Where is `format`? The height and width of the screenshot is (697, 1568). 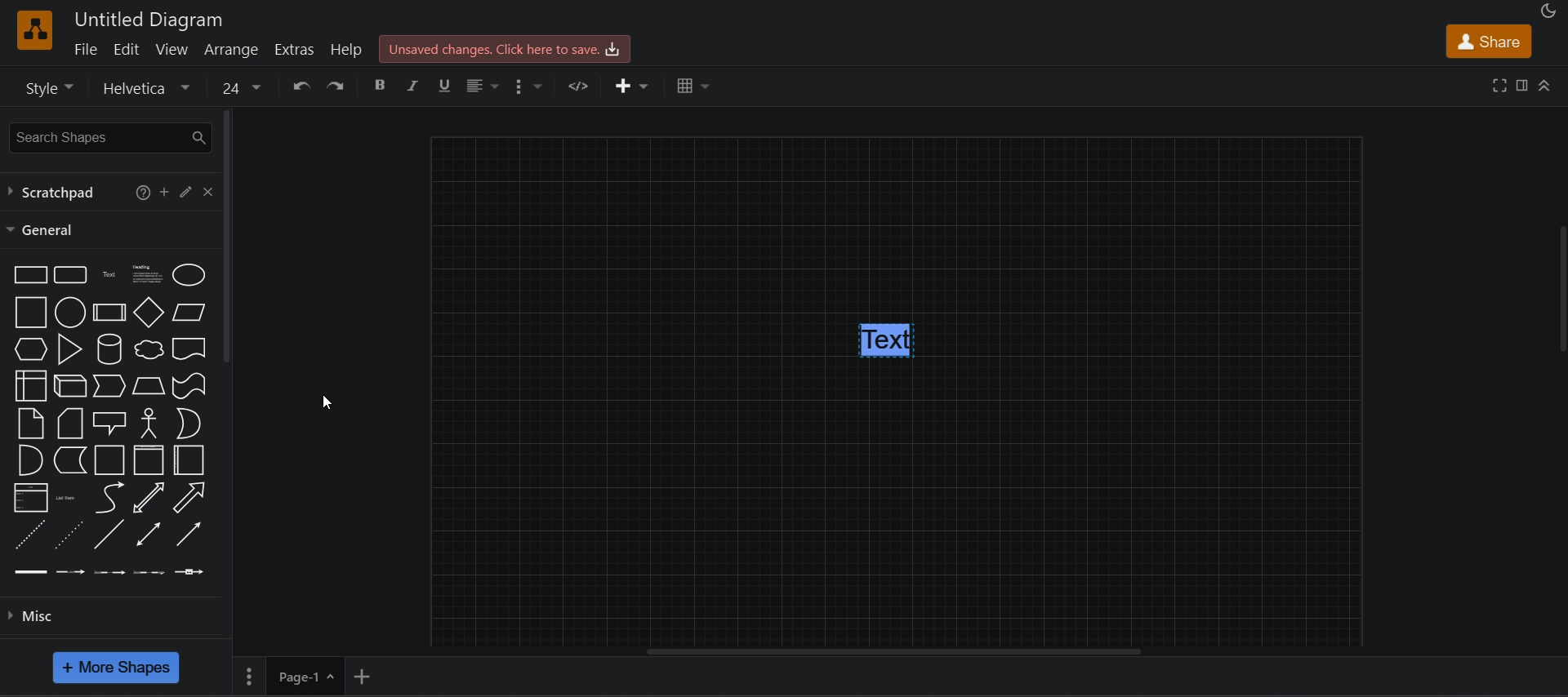 format is located at coordinates (1521, 85).